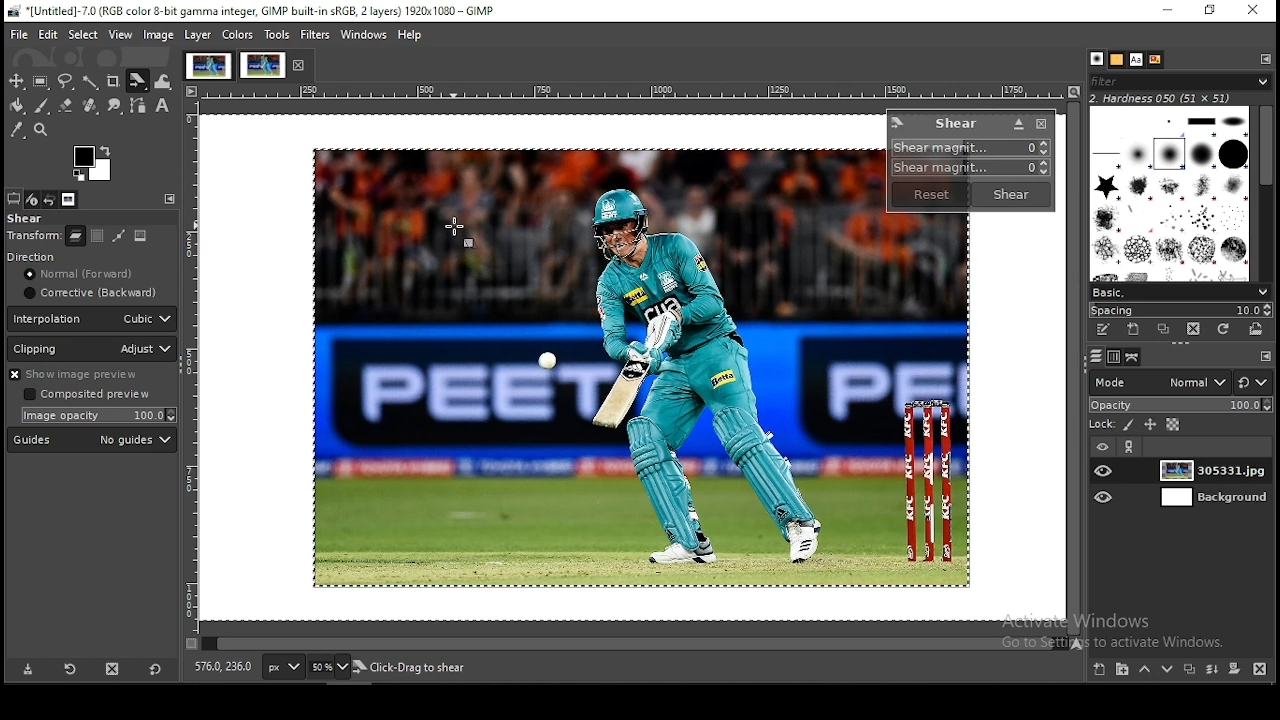  I want to click on move layer one step down, so click(1169, 670).